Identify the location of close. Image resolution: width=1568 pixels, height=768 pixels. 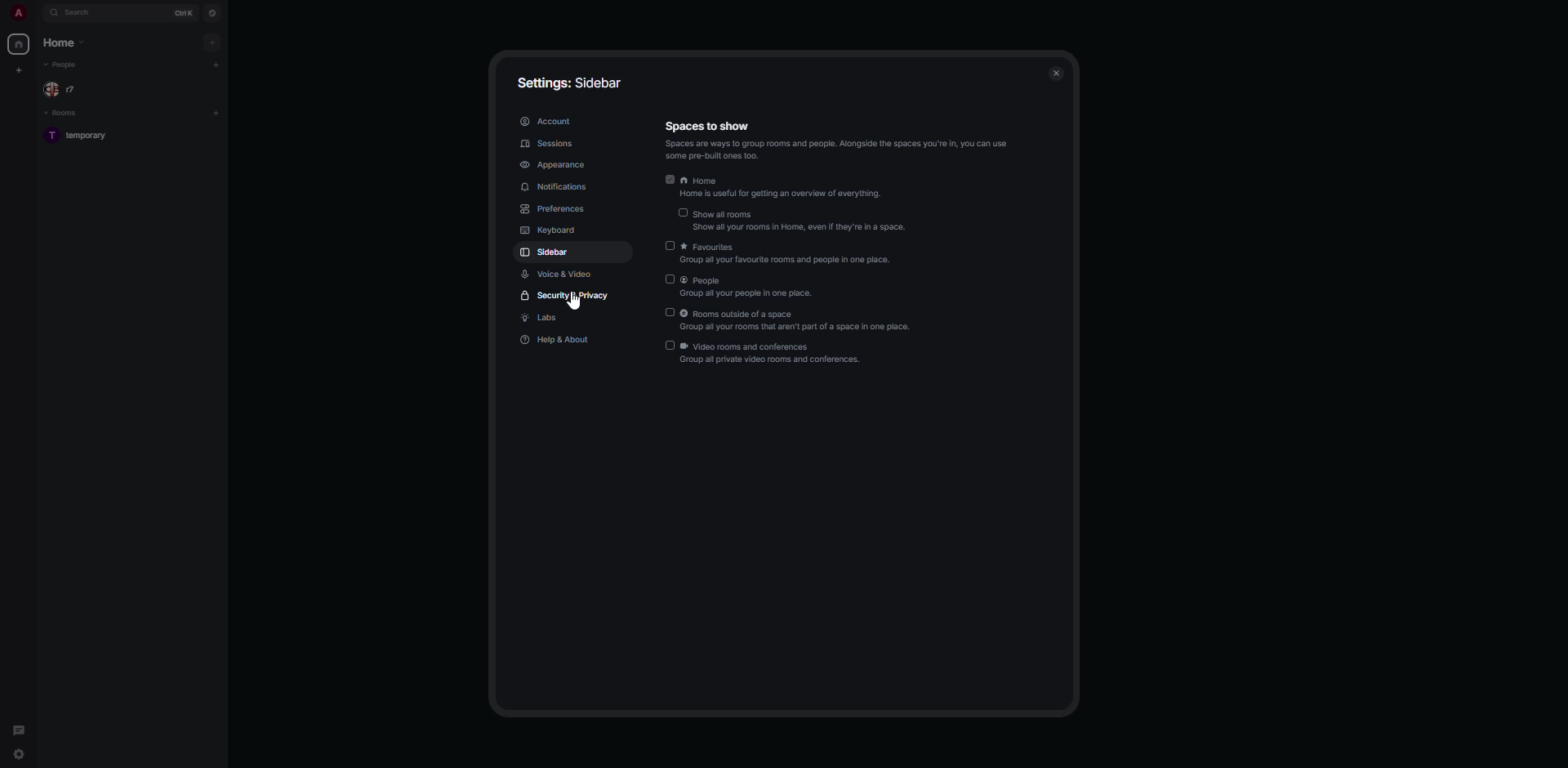
(1057, 73).